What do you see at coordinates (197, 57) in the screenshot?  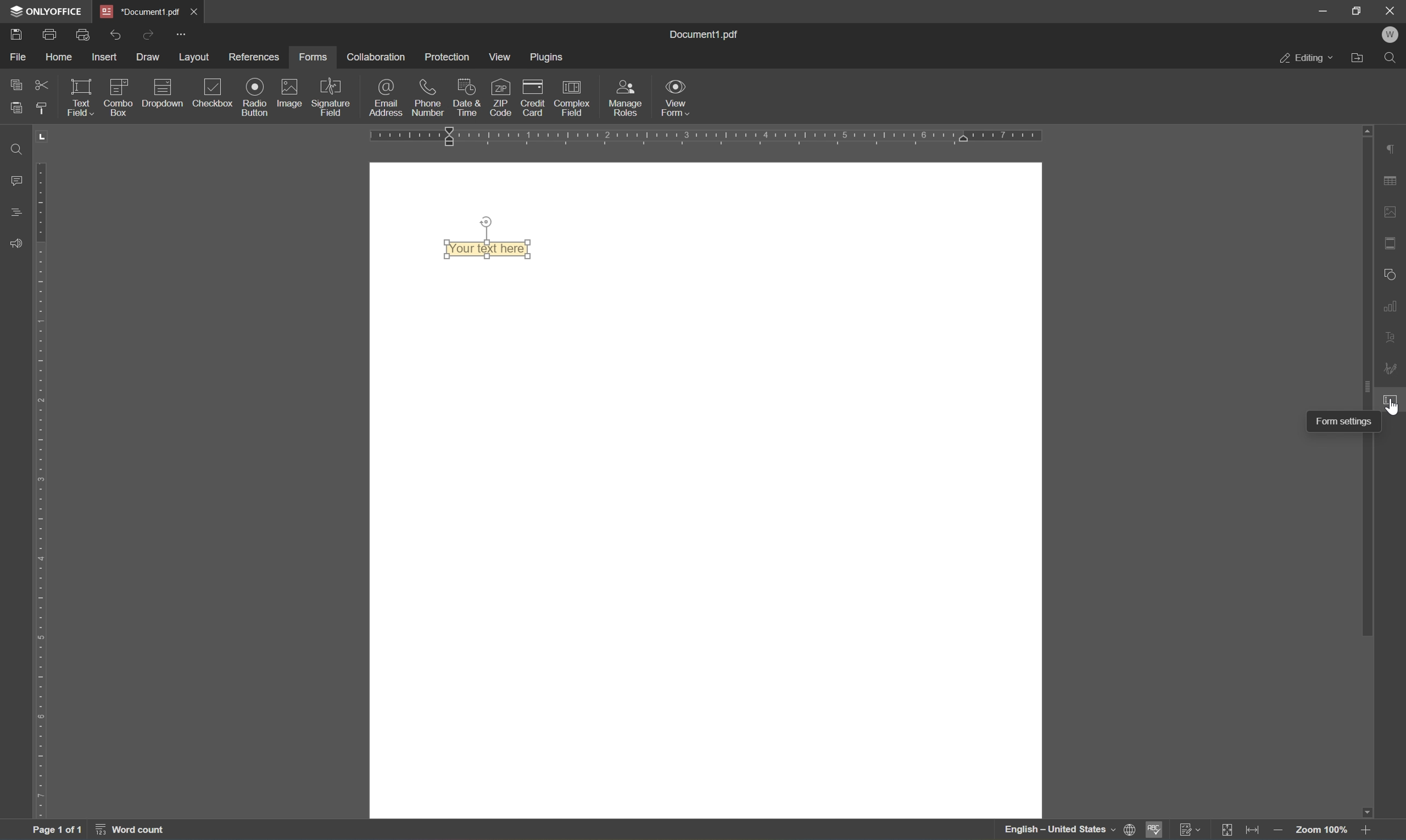 I see `layout` at bounding box center [197, 57].